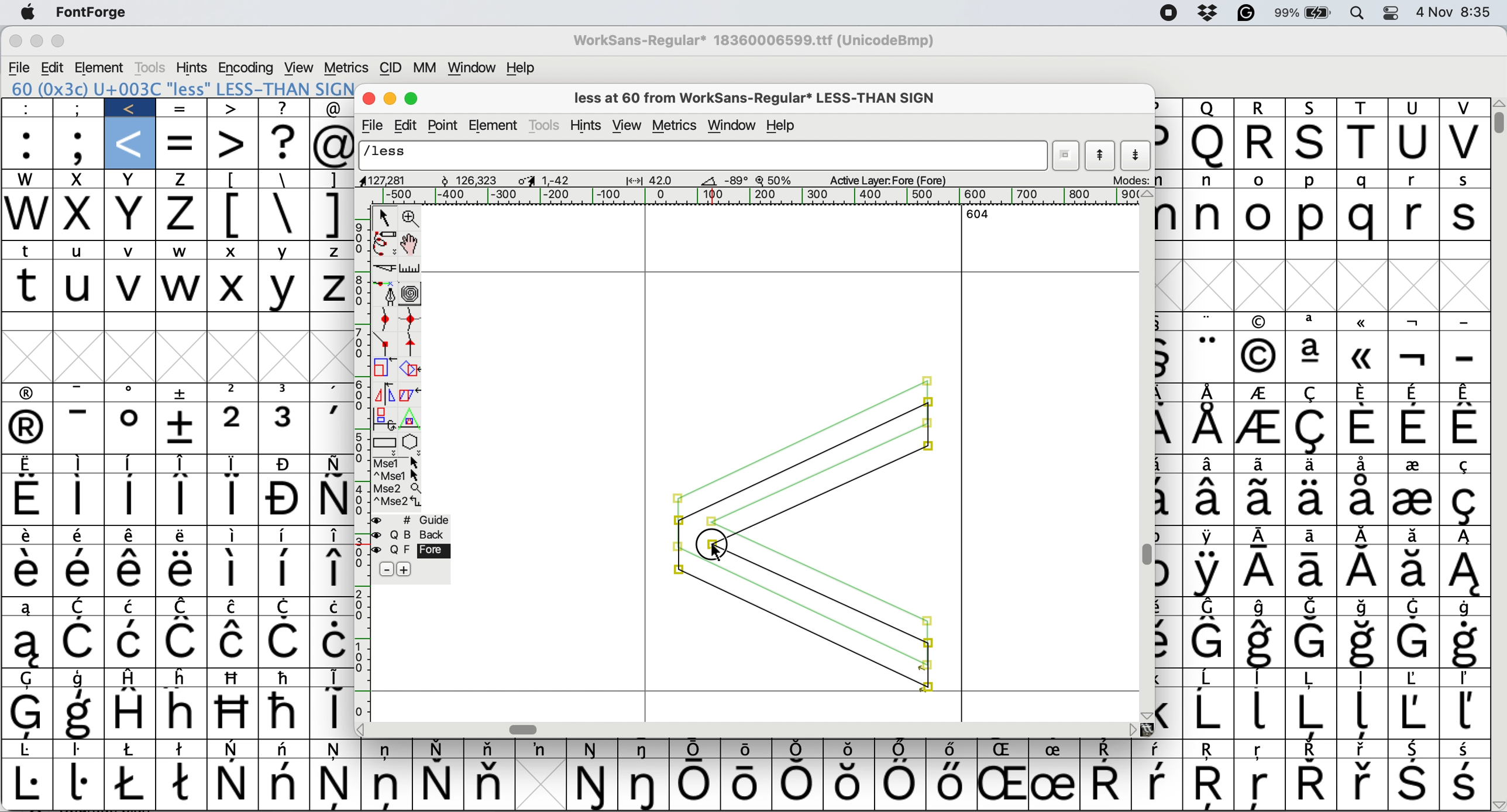 The width and height of the screenshot is (1507, 812). What do you see at coordinates (1209, 427) in the screenshot?
I see `Symbol` at bounding box center [1209, 427].